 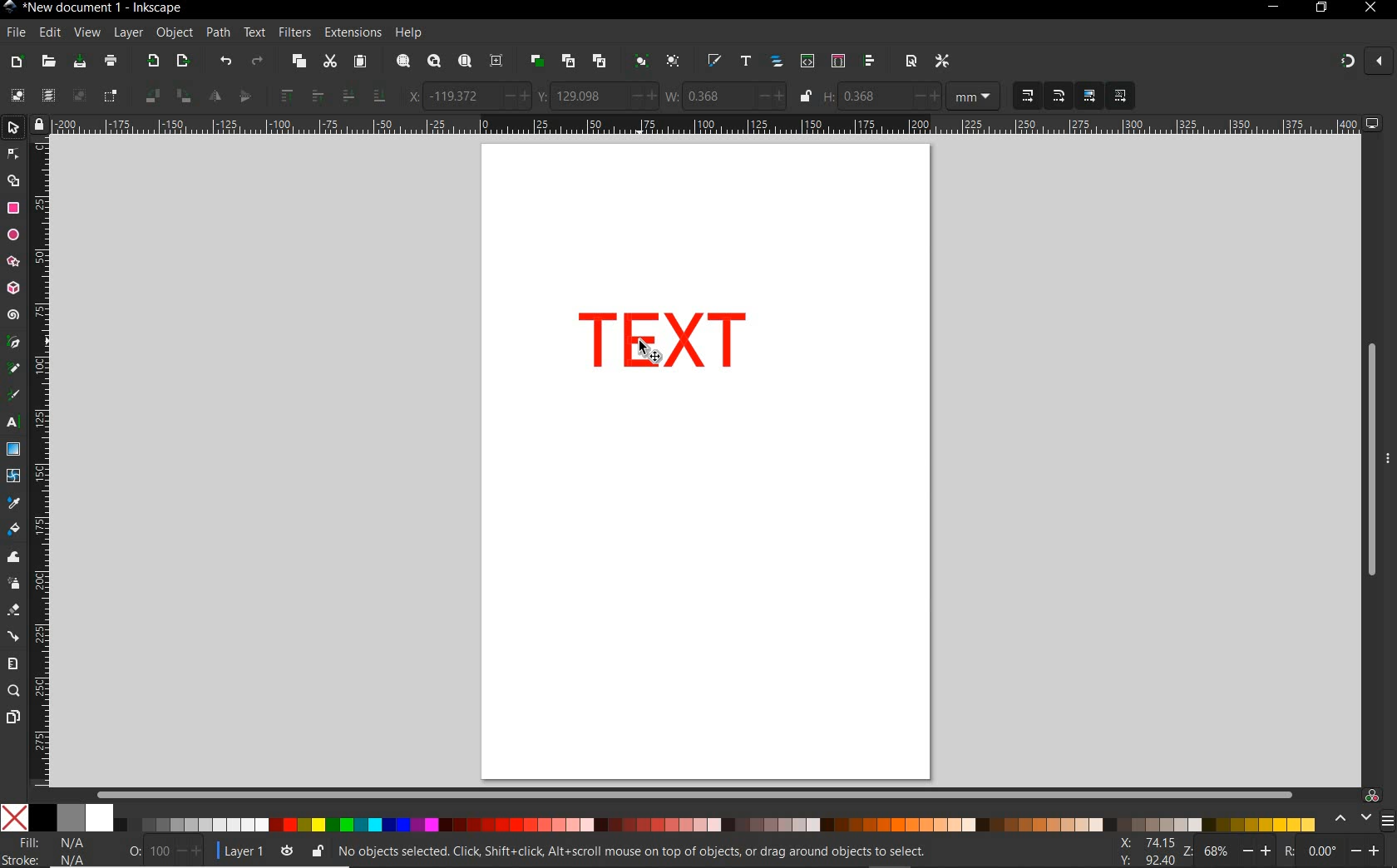 What do you see at coordinates (1365, 61) in the screenshot?
I see `ENABLE SNAPPING TOOL` at bounding box center [1365, 61].